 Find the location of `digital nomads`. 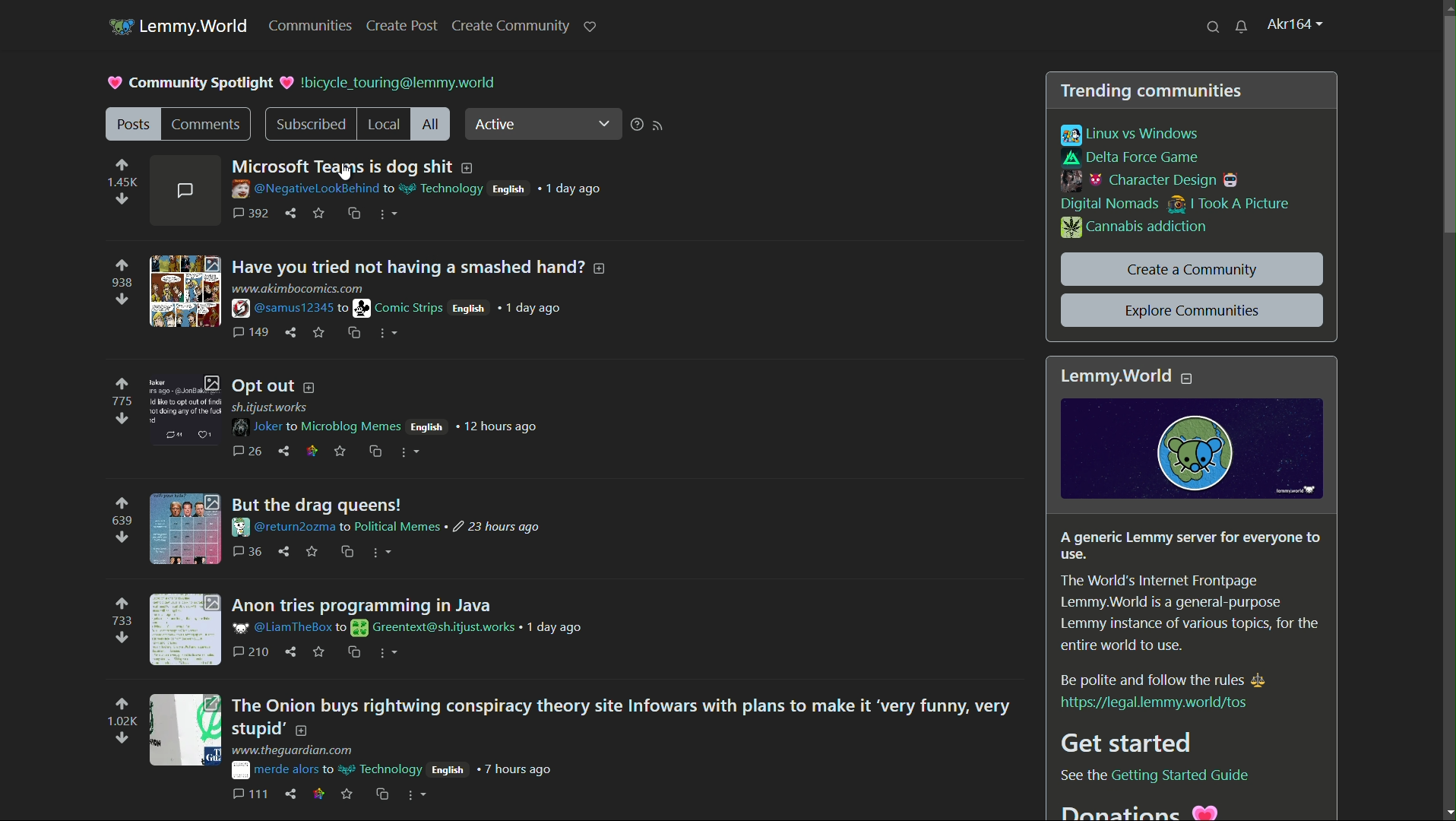

digital nomads is located at coordinates (1111, 204).